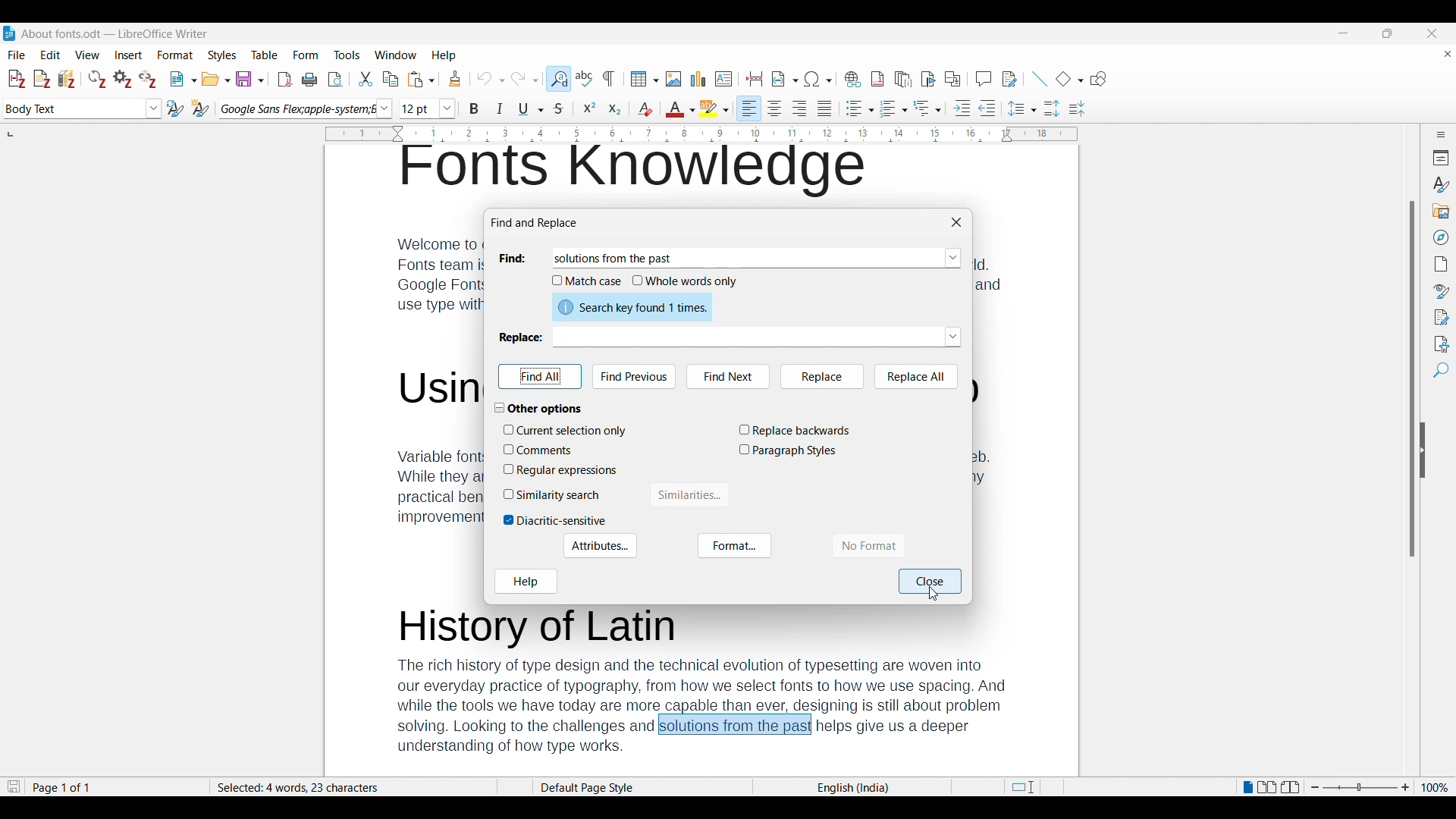  Describe the element at coordinates (800, 108) in the screenshot. I see `Align to right` at that location.